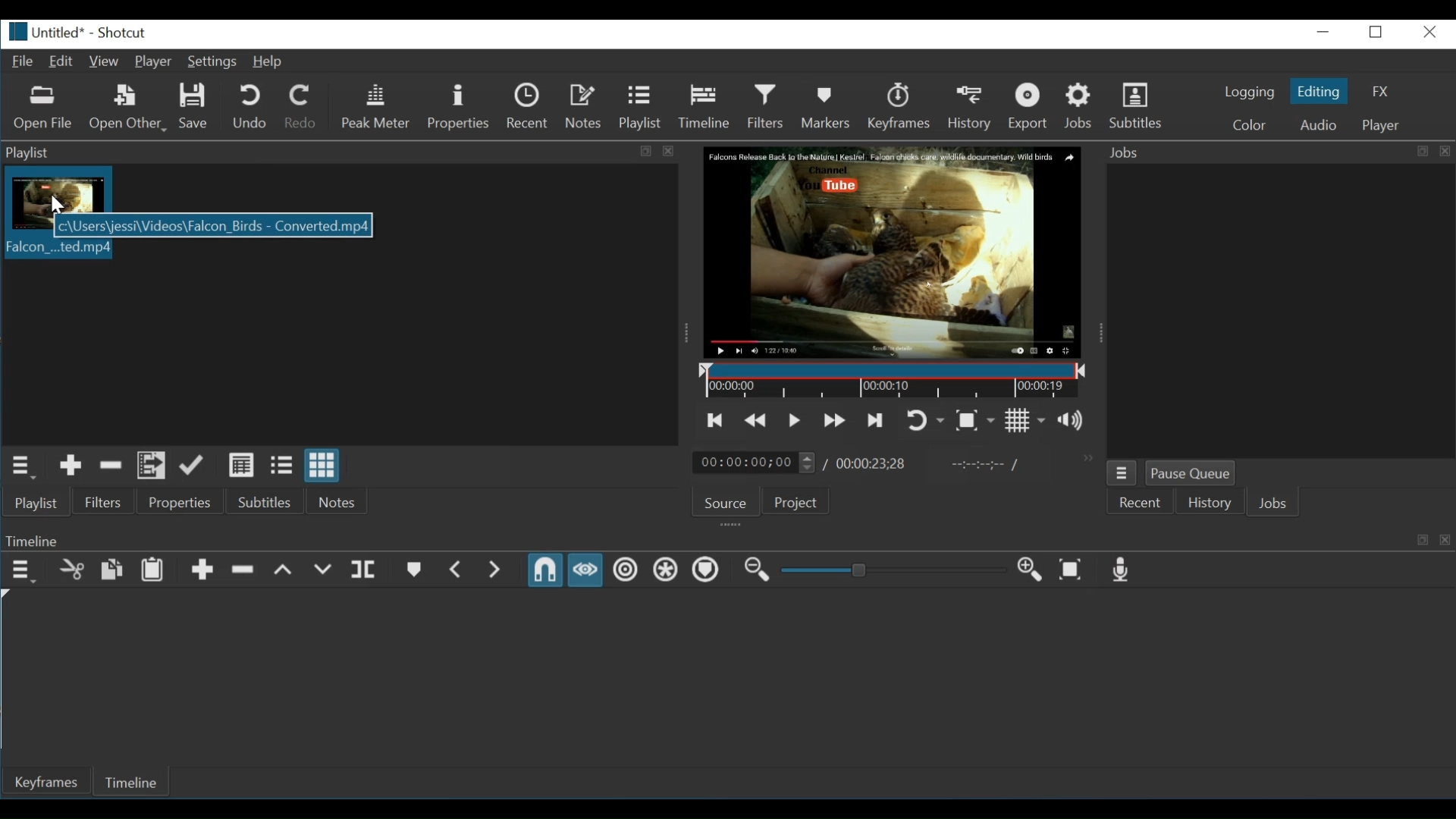 This screenshot has width=1456, height=819. What do you see at coordinates (378, 106) in the screenshot?
I see `Peak Meter` at bounding box center [378, 106].